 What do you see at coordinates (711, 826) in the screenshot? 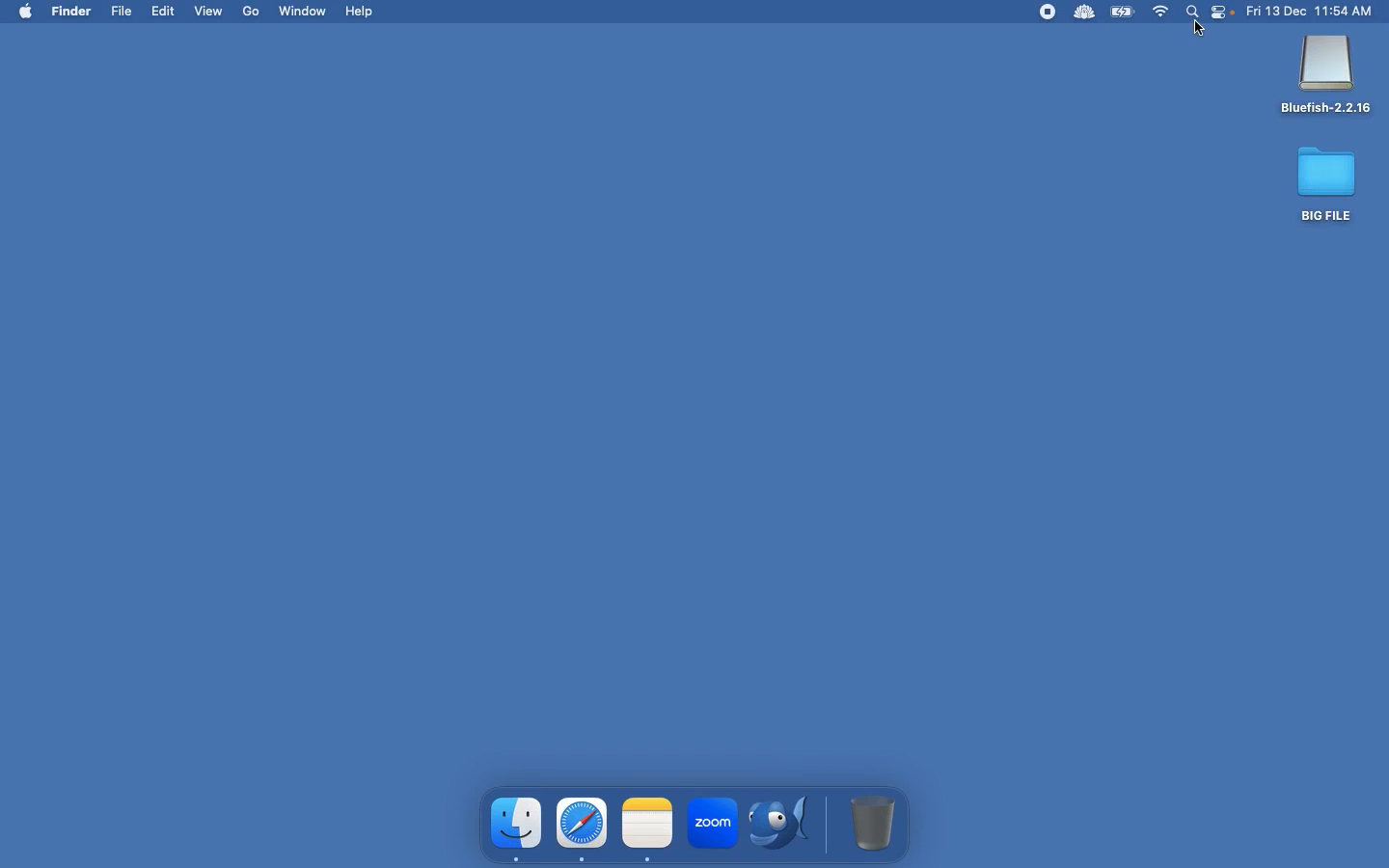
I see `zoom` at bounding box center [711, 826].